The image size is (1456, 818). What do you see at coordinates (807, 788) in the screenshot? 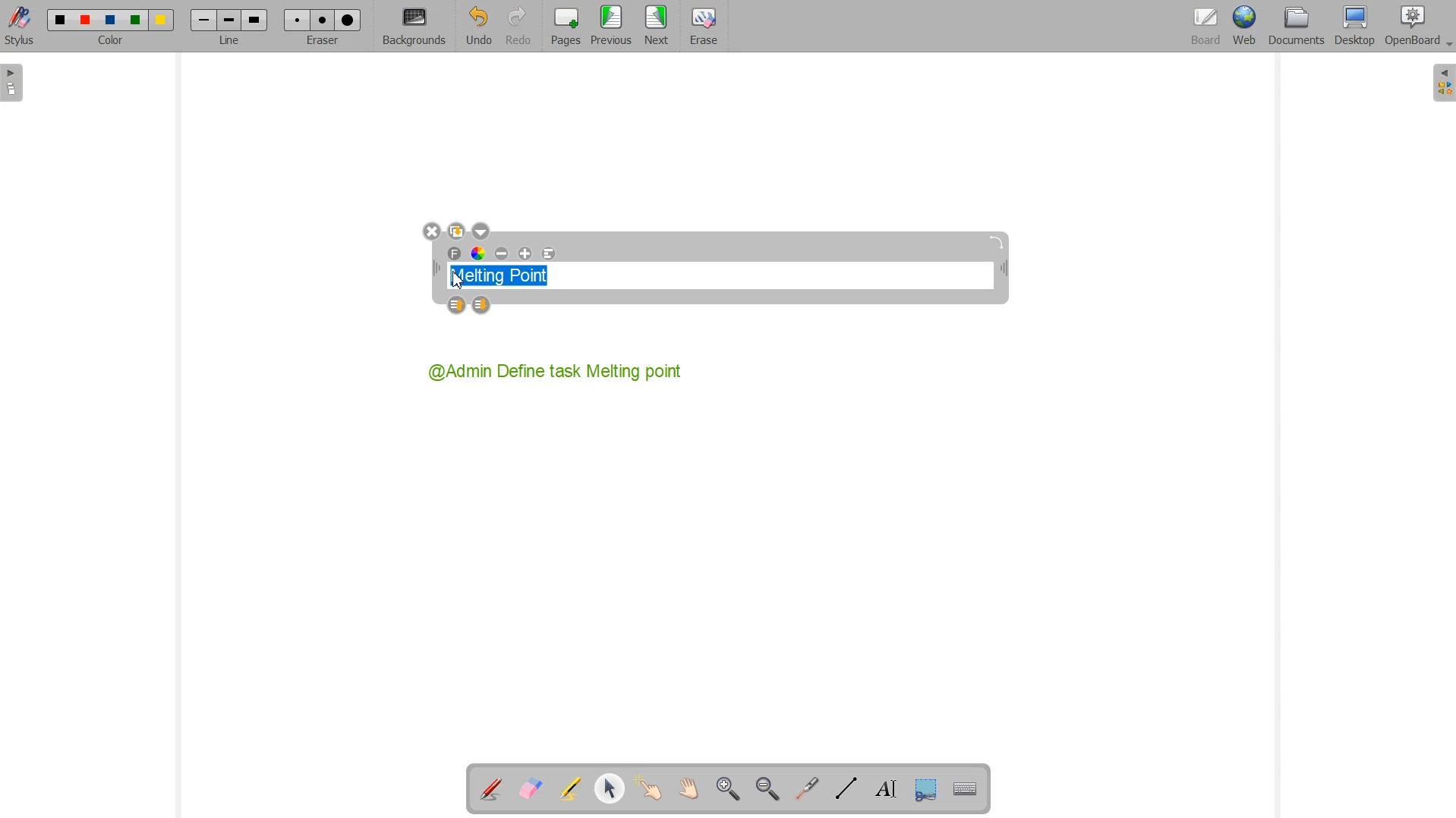
I see `Virtual laser Pointer` at bounding box center [807, 788].